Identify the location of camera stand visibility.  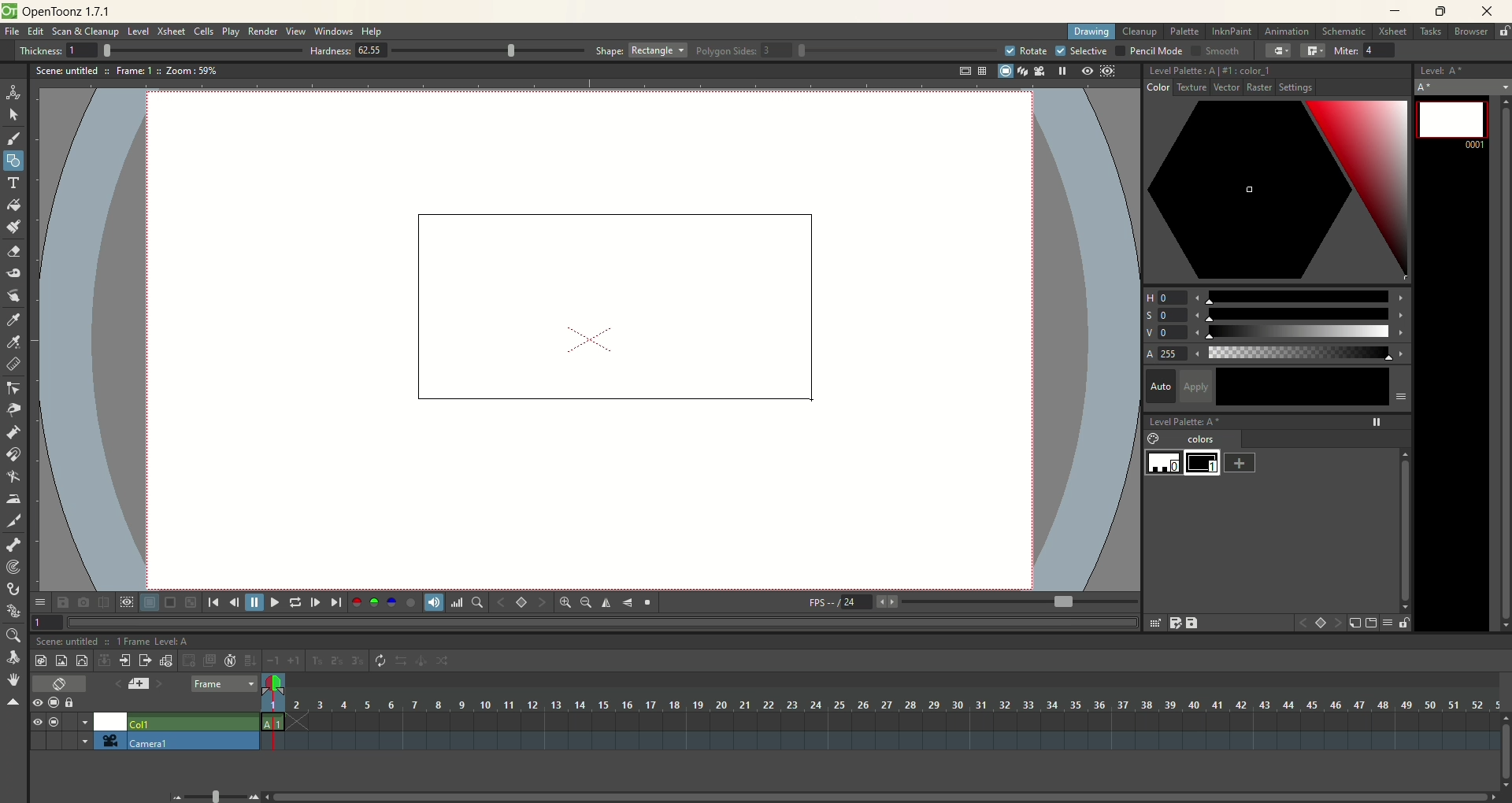
(57, 701).